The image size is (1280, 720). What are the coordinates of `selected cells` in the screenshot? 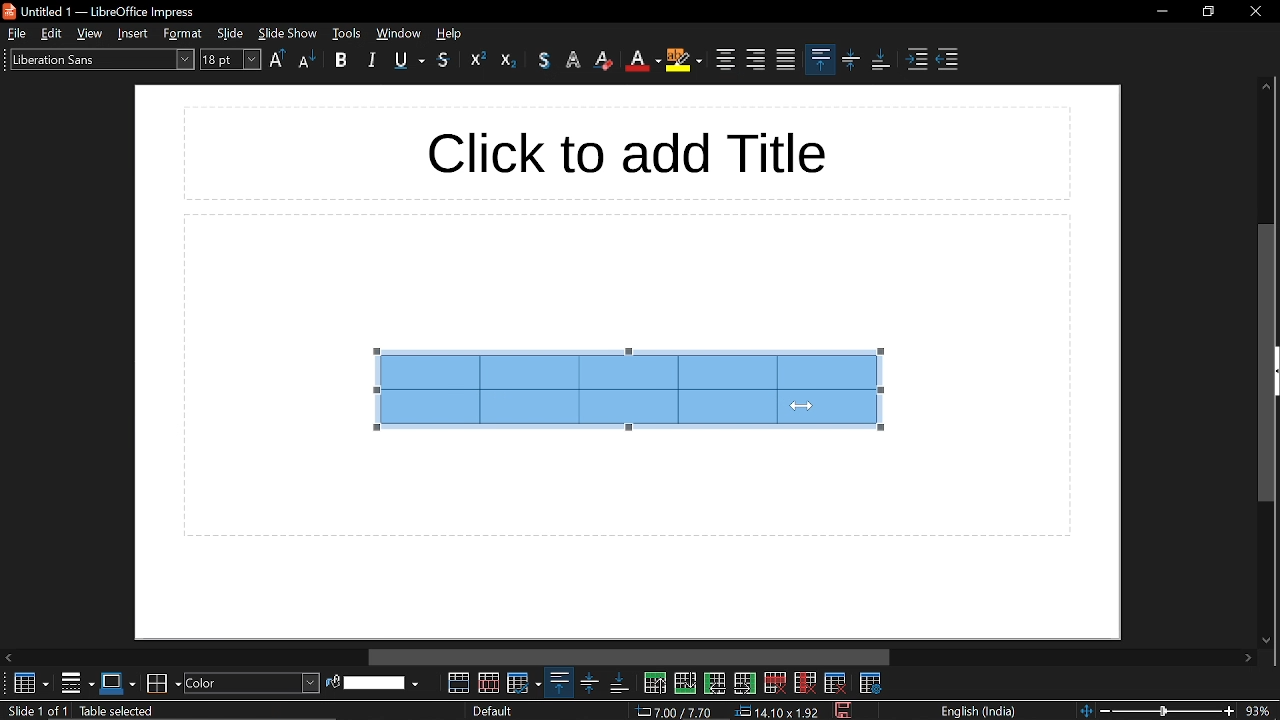 It's located at (627, 387).